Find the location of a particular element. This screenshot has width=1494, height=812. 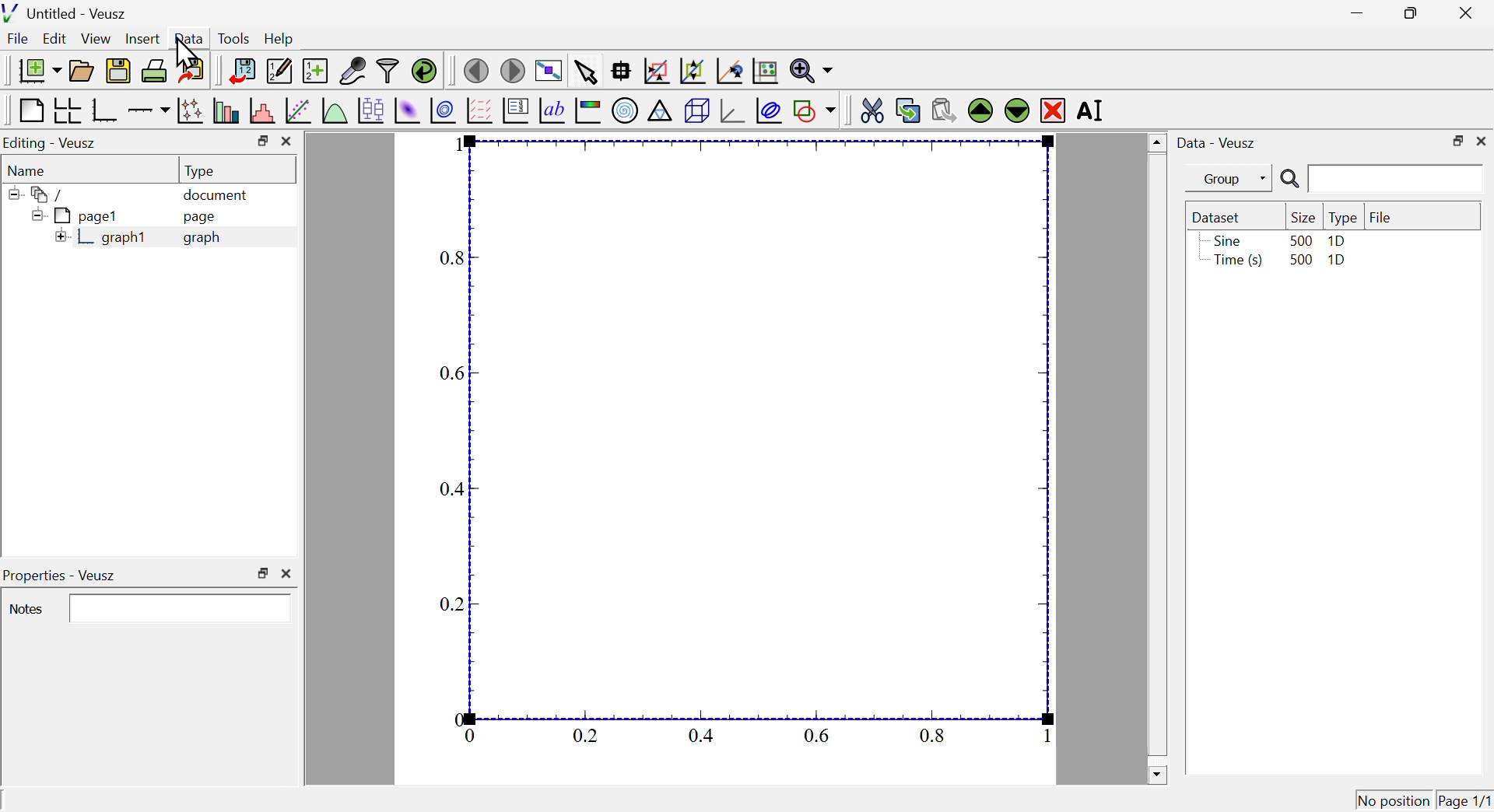

0 is located at coordinates (472, 737).